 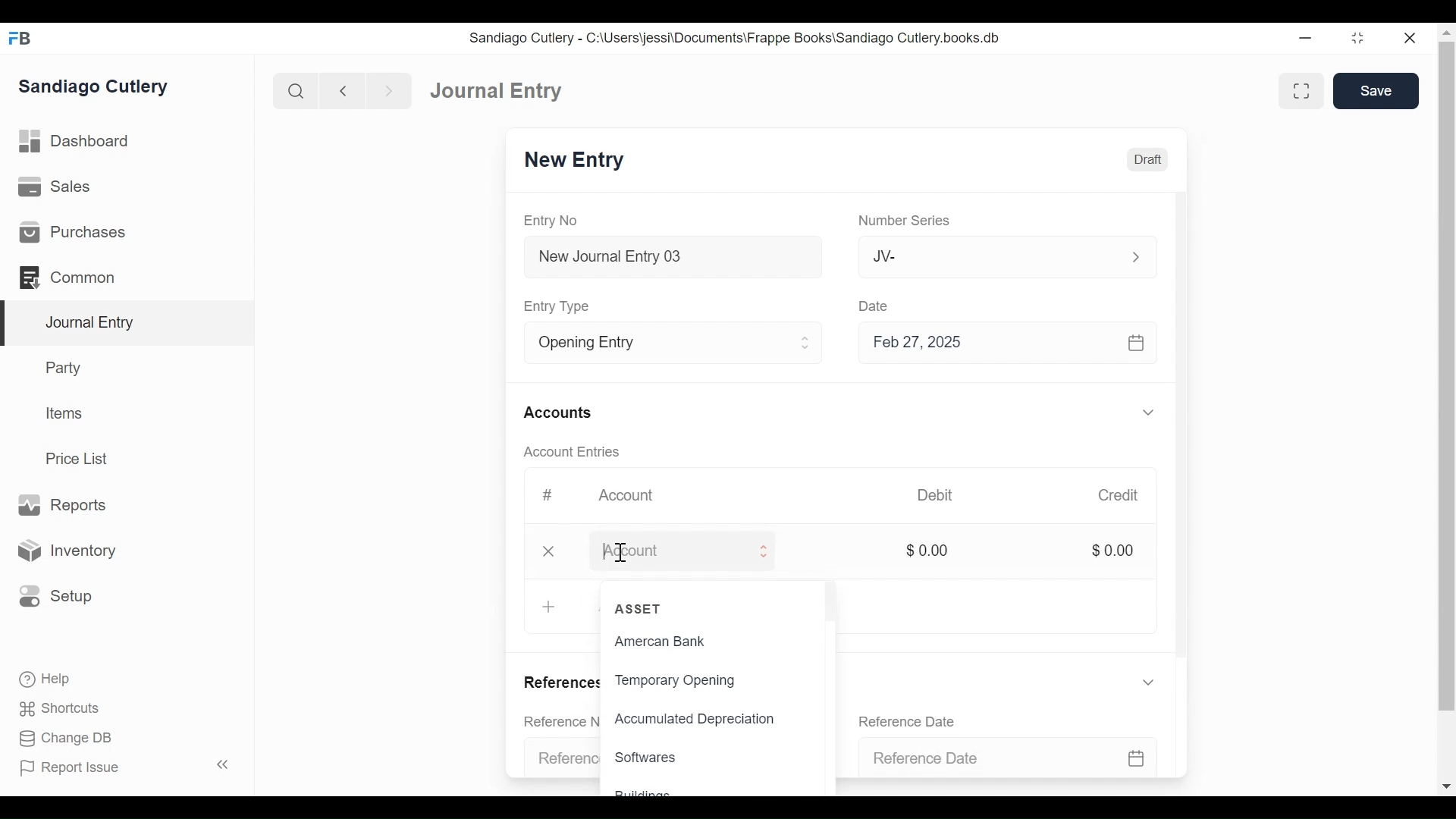 What do you see at coordinates (554, 221) in the screenshot?
I see `Entry No` at bounding box center [554, 221].